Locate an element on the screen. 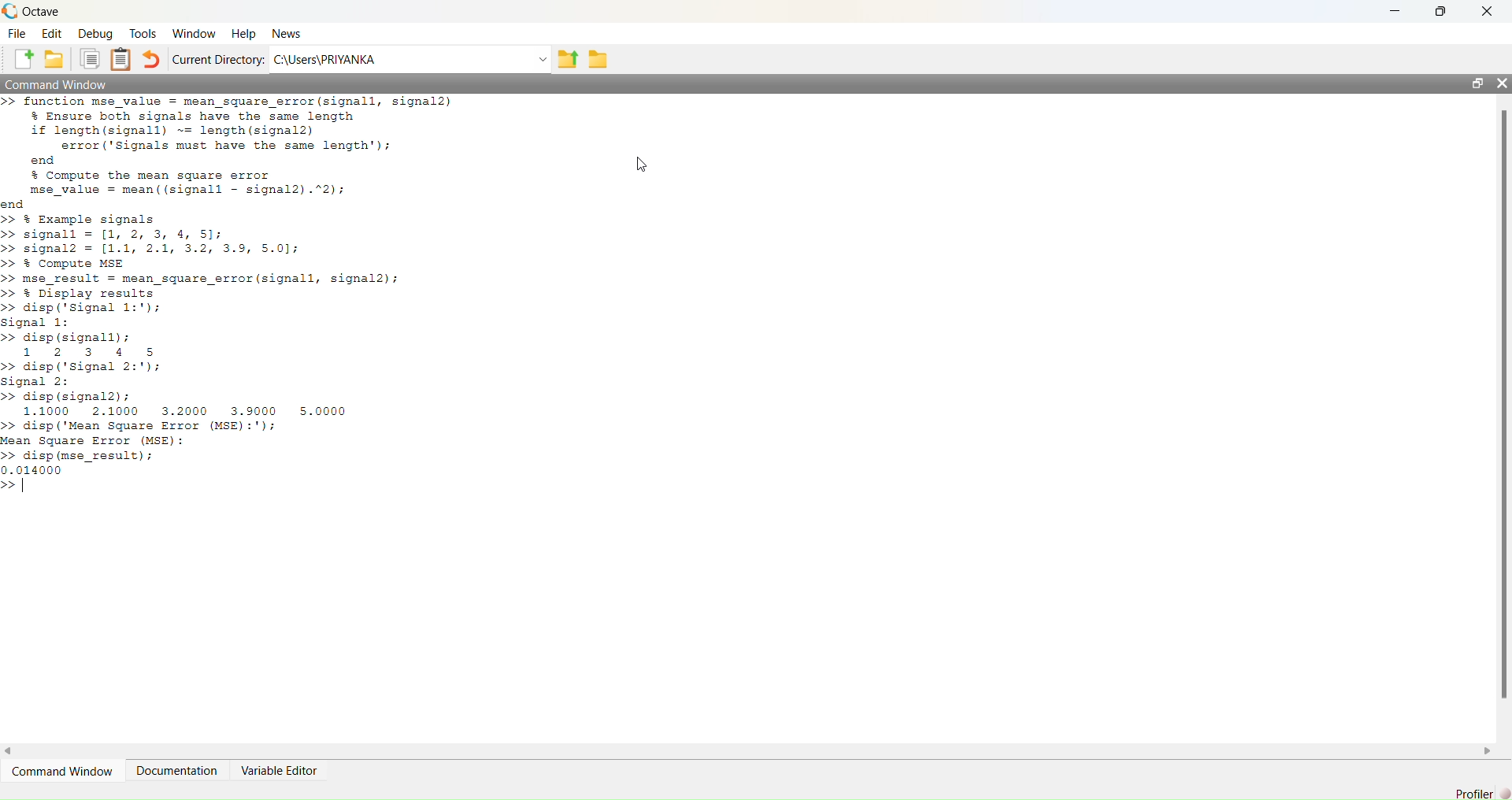  window is located at coordinates (194, 35).